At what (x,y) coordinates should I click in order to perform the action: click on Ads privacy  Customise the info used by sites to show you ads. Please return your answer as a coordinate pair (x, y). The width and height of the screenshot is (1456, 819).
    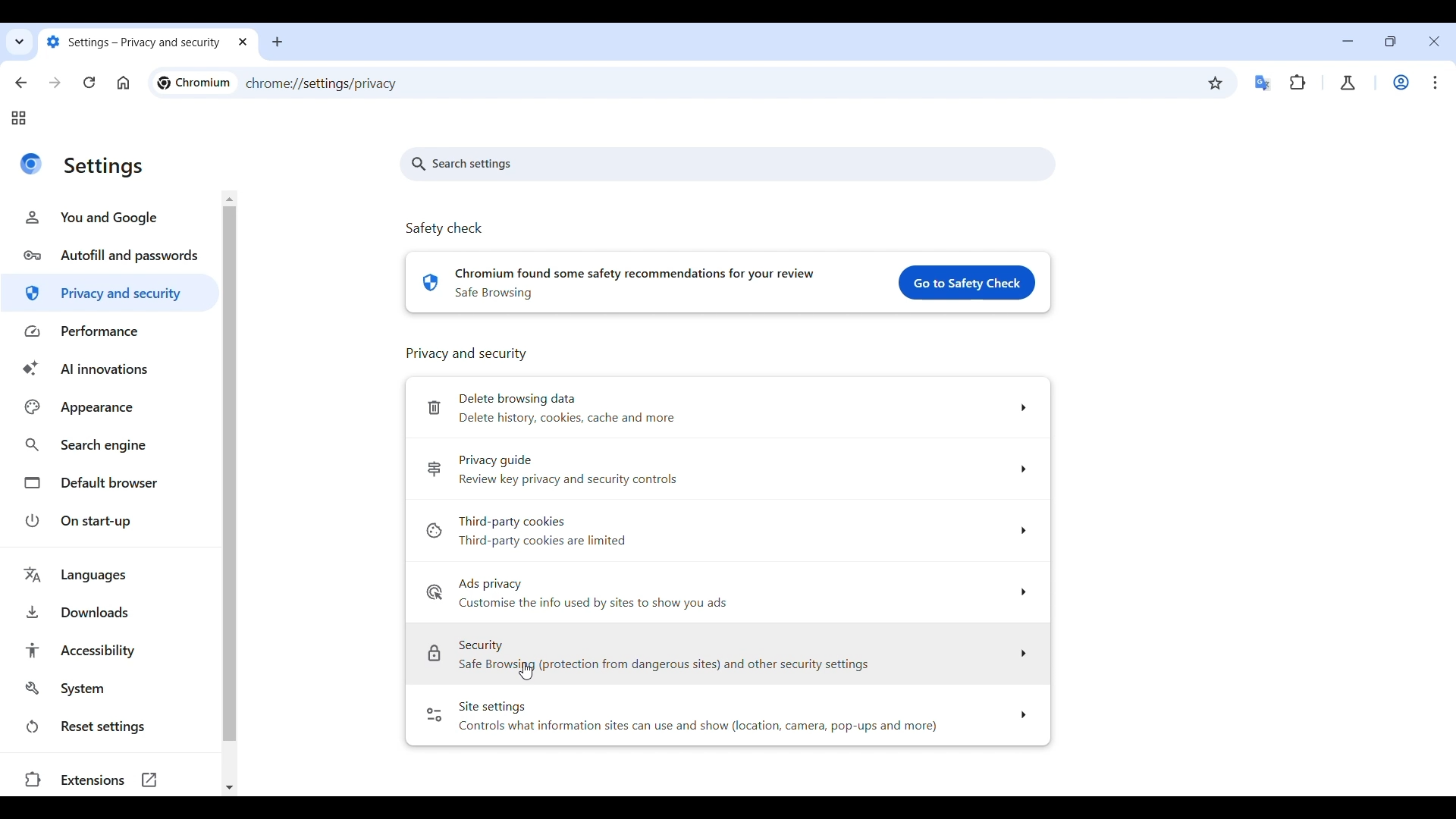
    Looking at the image, I should click on (730, 598).